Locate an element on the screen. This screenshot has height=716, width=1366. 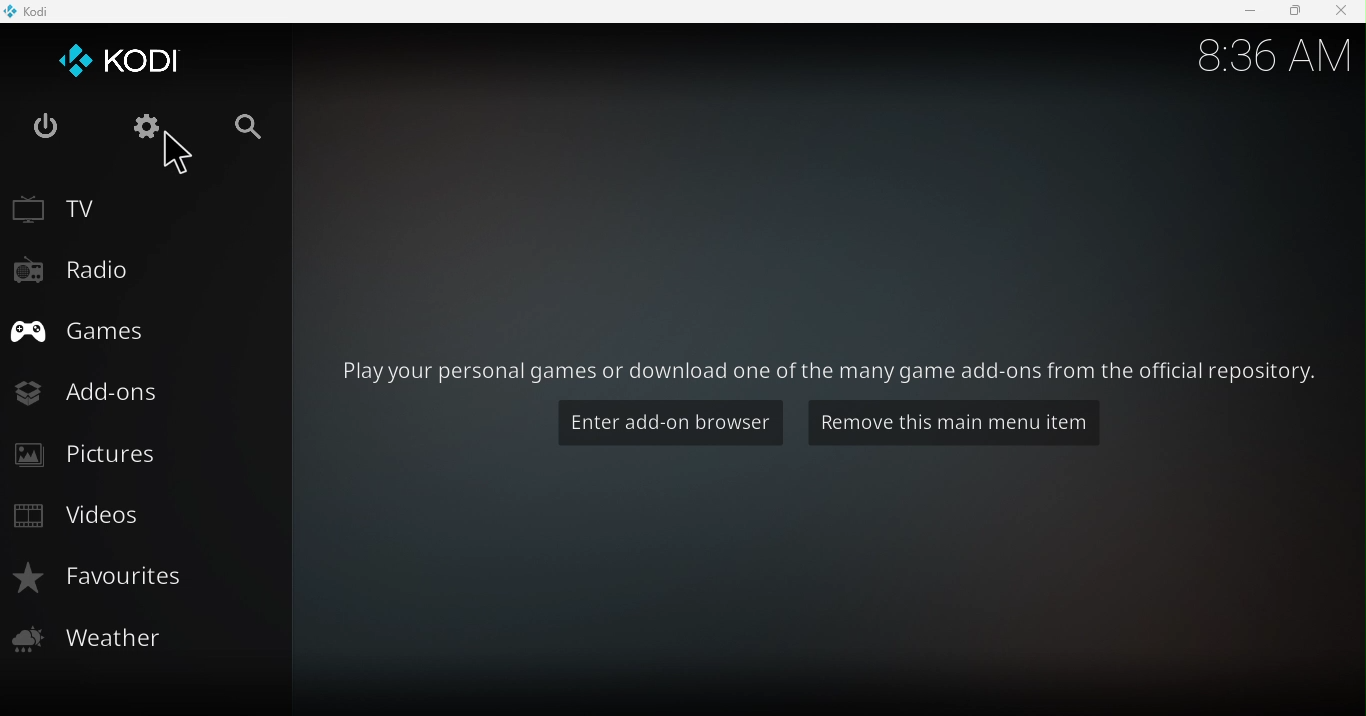
8:36 AM is located at coordinates (1266, 51).